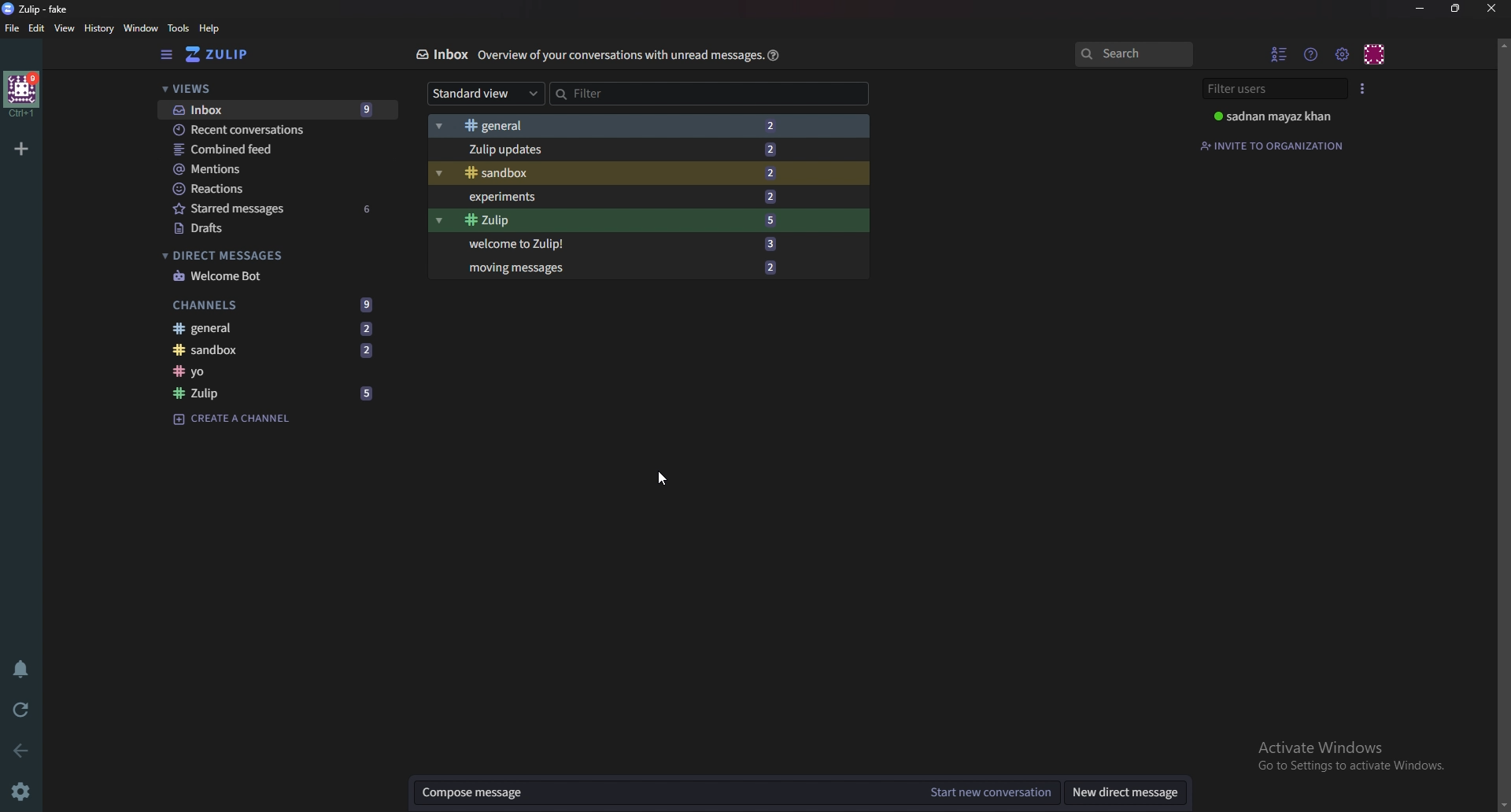 The height and width of the screenshot is (812, 1511). I want to click on home, so click(24, 94).